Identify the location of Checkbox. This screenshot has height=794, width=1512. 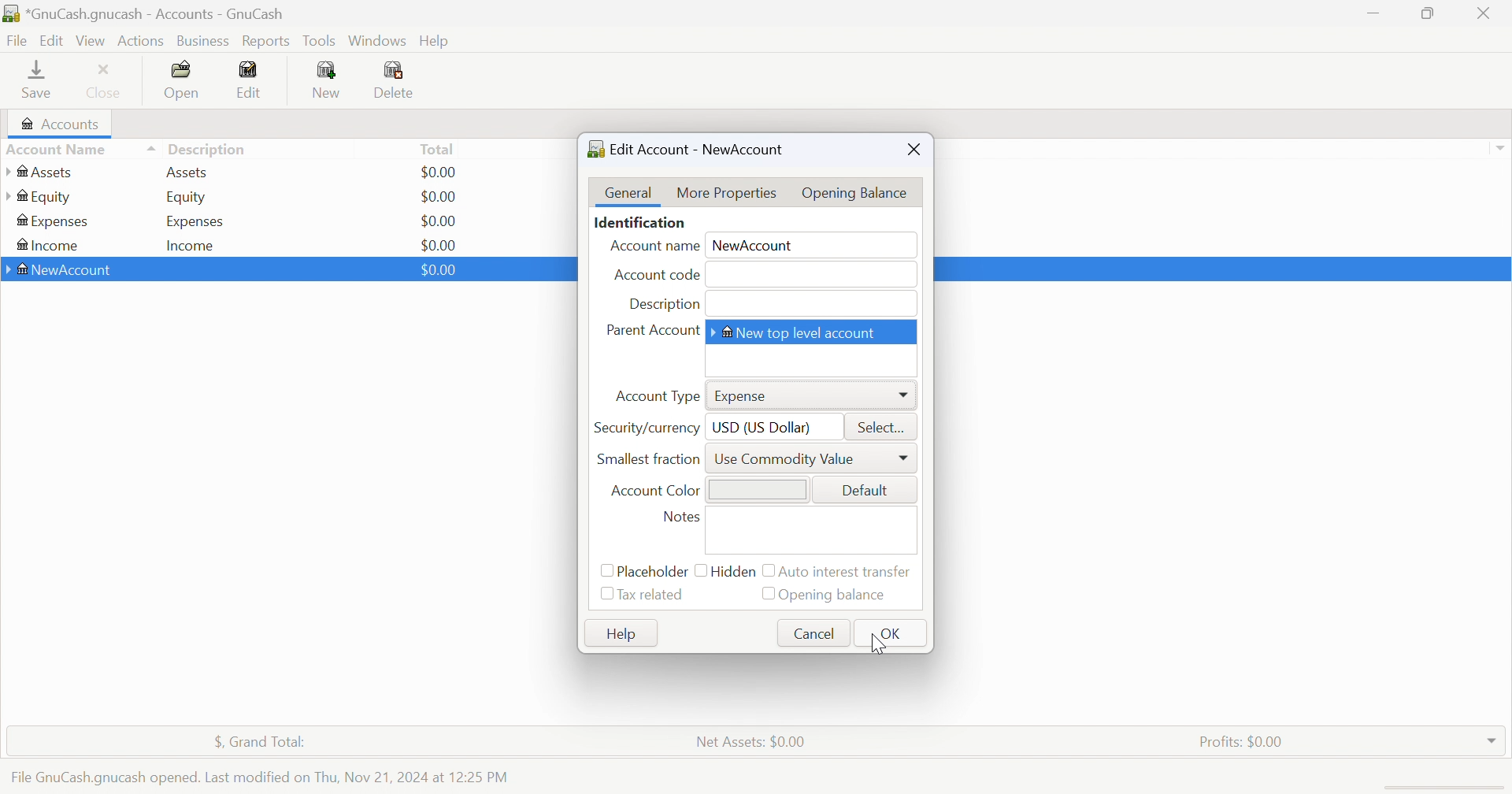
(766, 595).